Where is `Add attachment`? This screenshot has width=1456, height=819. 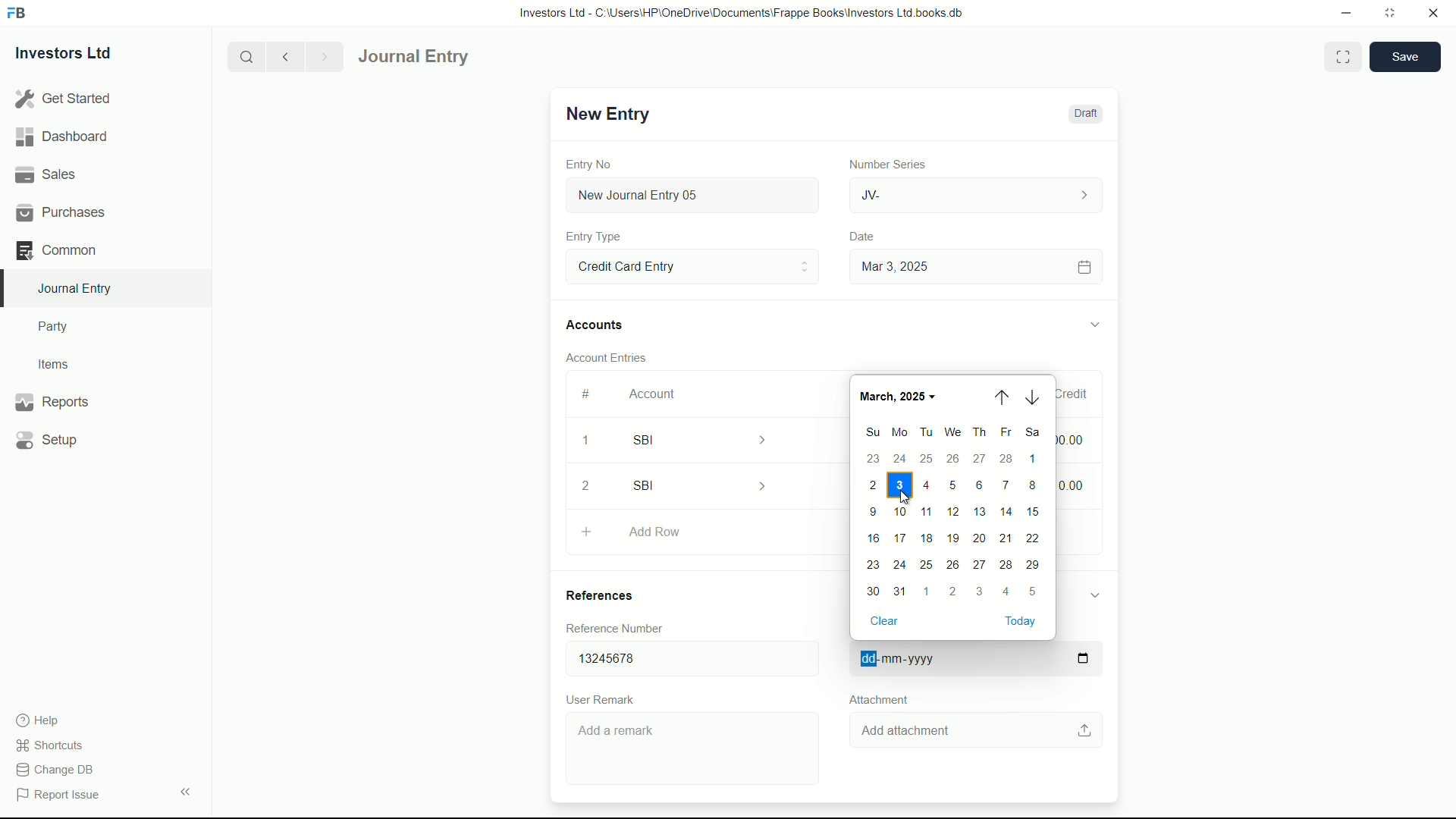 Add attachment is located at coordinates (977, 731).